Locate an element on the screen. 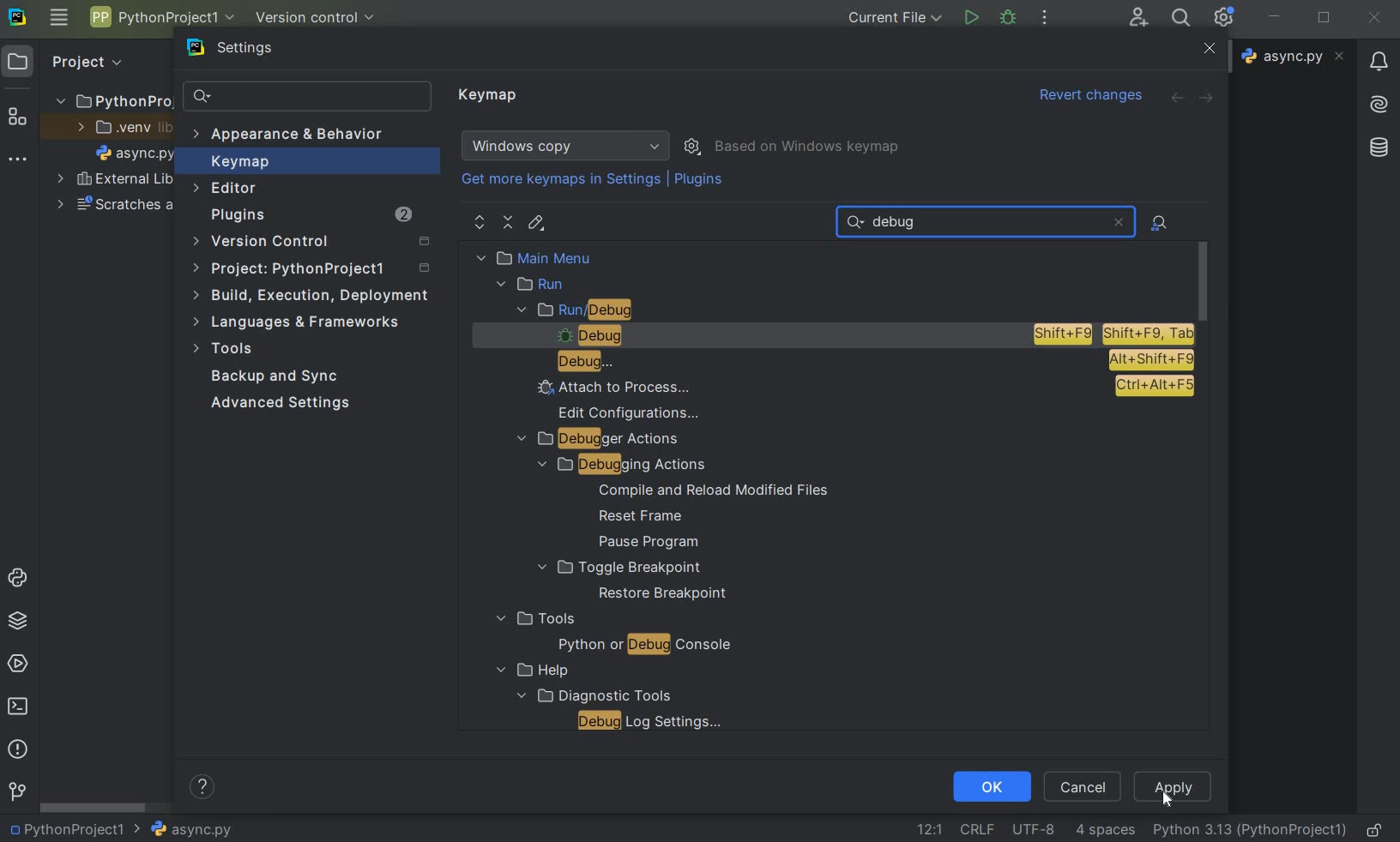 This screenshot has width=1400, height=842. cursor is located at coordinates (1164, 797).